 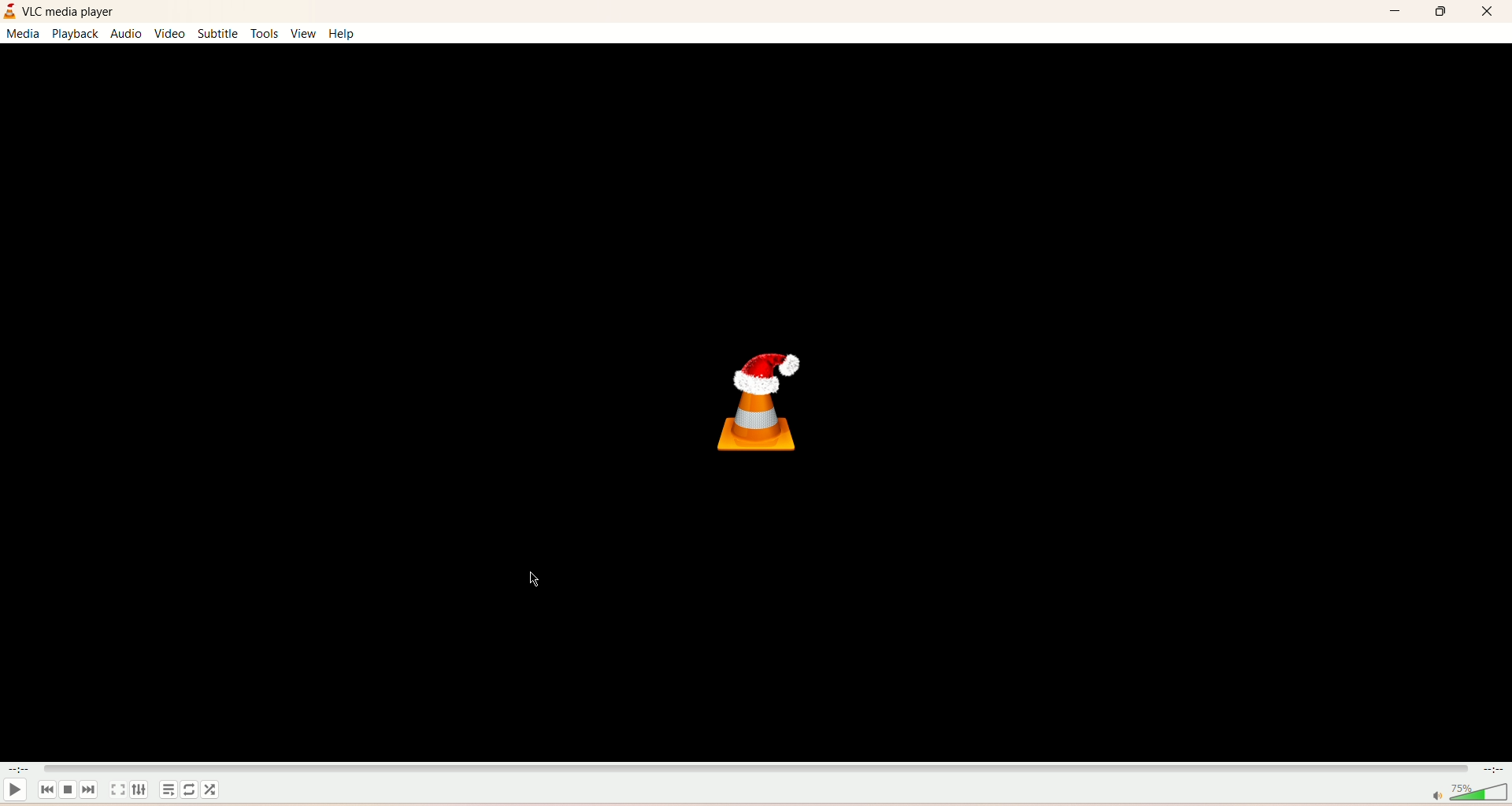 What do you see at coordinates (211, 789) in the screenshot?
I see `shuffle` at bounding box center [211, 789].